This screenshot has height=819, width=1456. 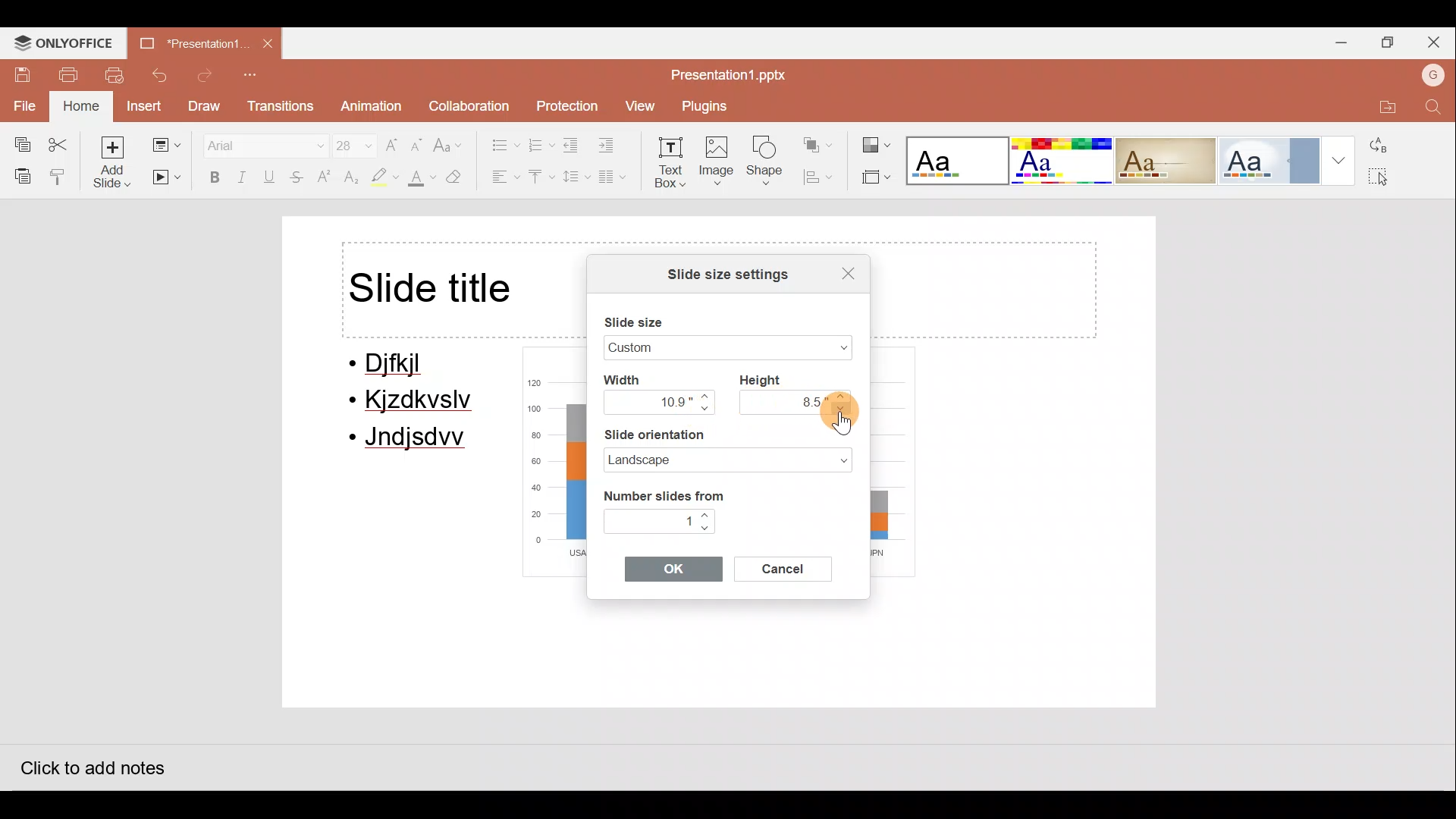 What do you see at coordinates (206, 76) in the screenshot?
I see `Redo` at bounding box center [206, 76].